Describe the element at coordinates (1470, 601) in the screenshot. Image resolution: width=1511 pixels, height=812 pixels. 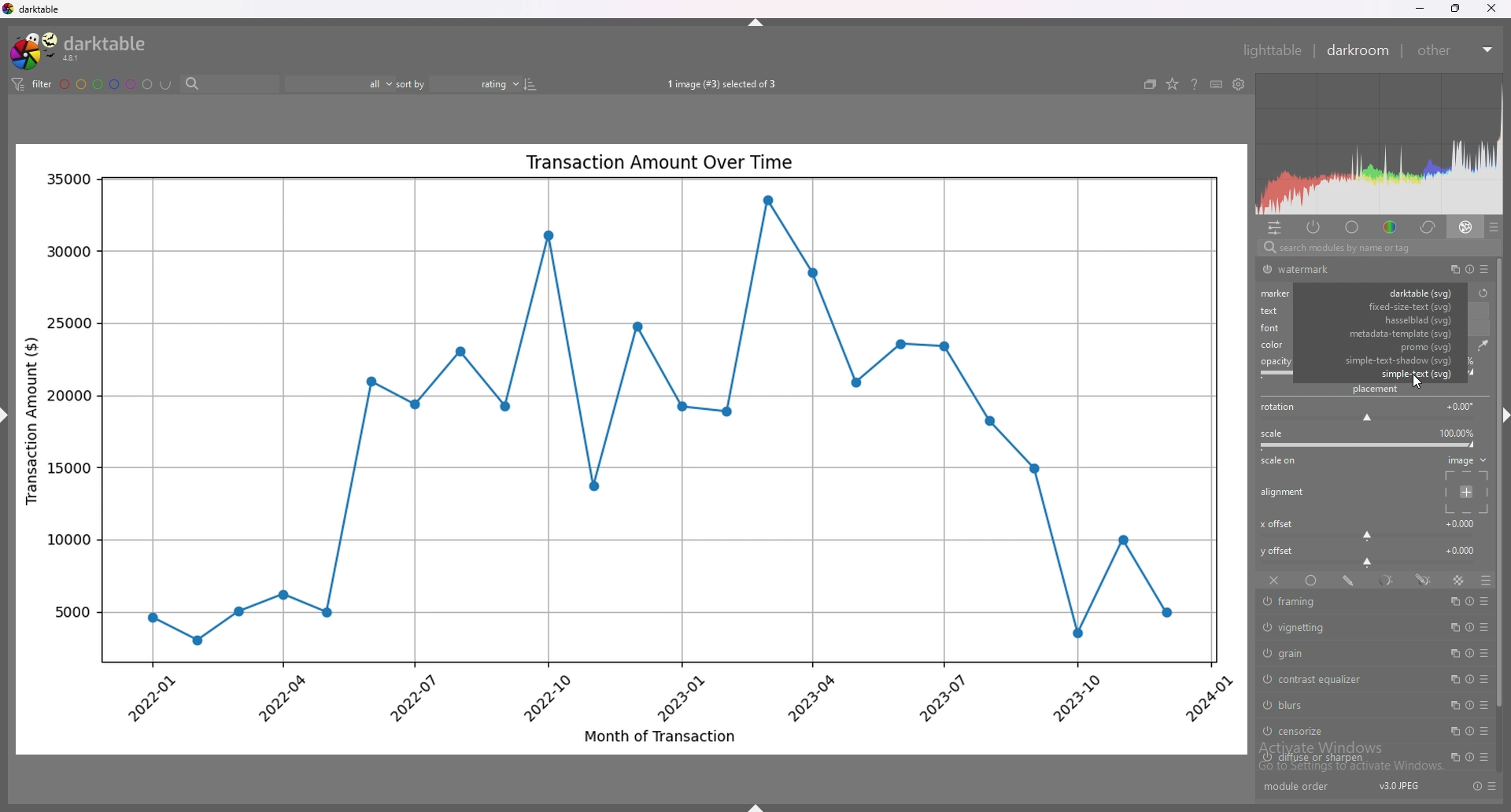
I see `reset` at that location.